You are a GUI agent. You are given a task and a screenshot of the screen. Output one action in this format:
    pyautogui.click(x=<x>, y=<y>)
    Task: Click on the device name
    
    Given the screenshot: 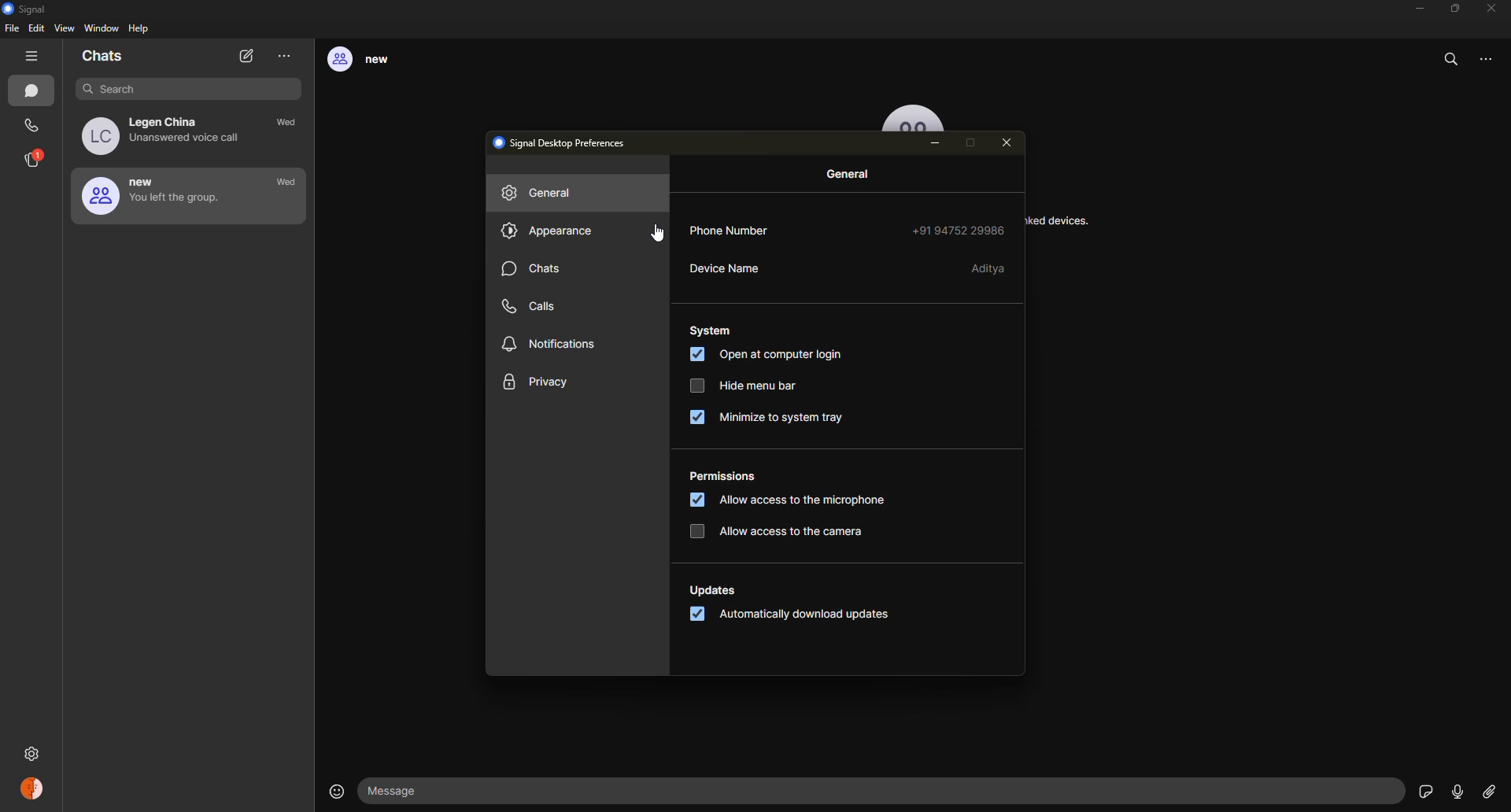 What is the action you would take?
    pyautogui.click(x=727, y=271)
    